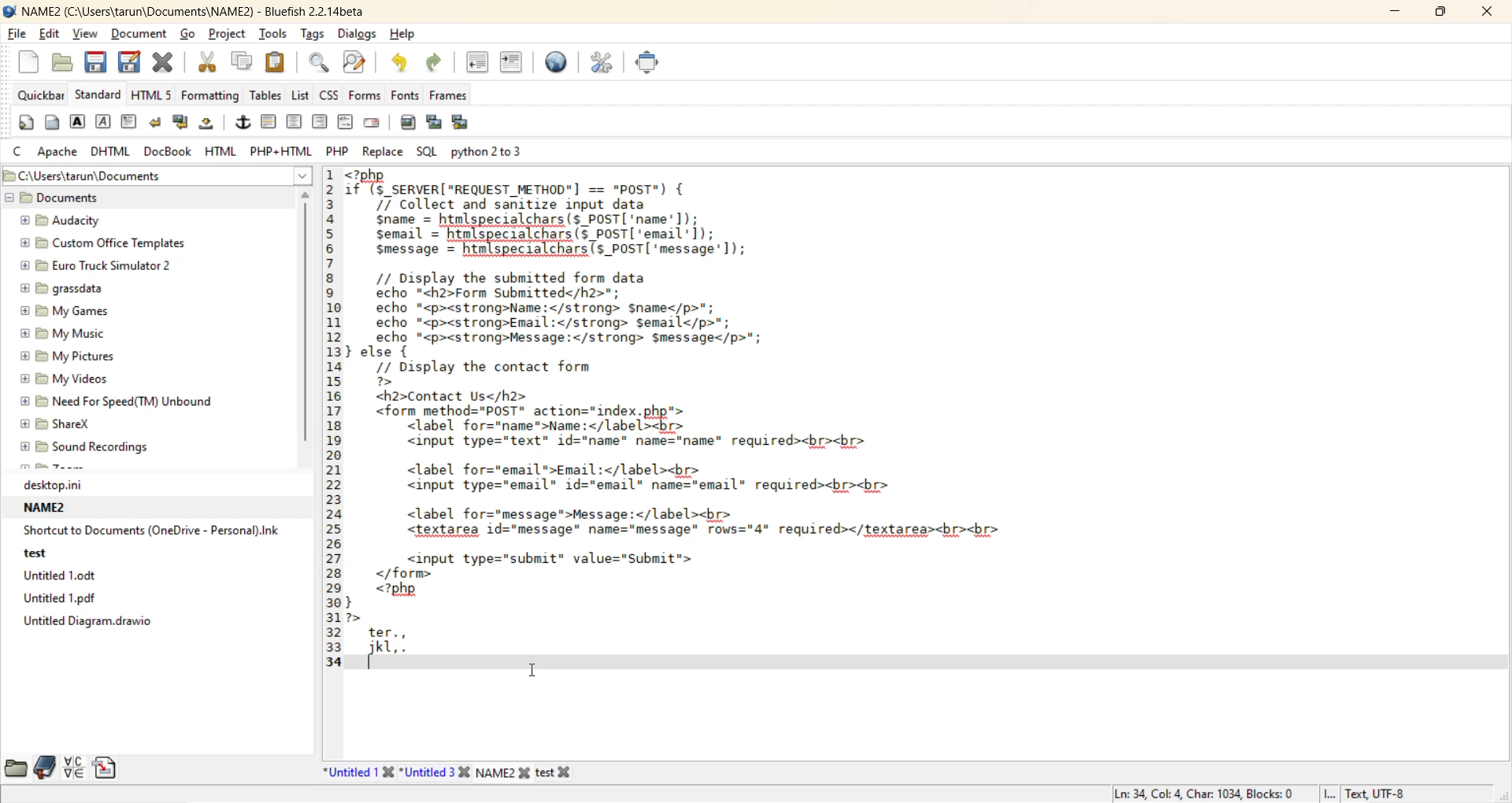 Image resolution: width=1512 pixels, height=803 pixels. What do you see at coordinates (75, 220) in the screenshot?
I see `Audacity` at bounding box center [75, 220].